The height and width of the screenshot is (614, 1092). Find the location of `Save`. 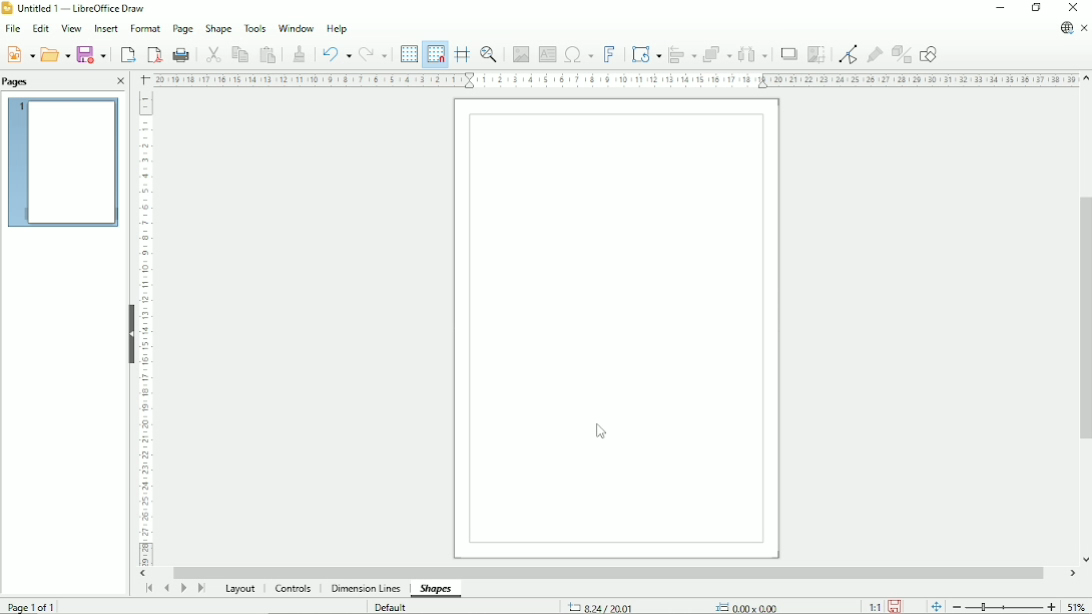

Save is located at coordinates (895, 606).